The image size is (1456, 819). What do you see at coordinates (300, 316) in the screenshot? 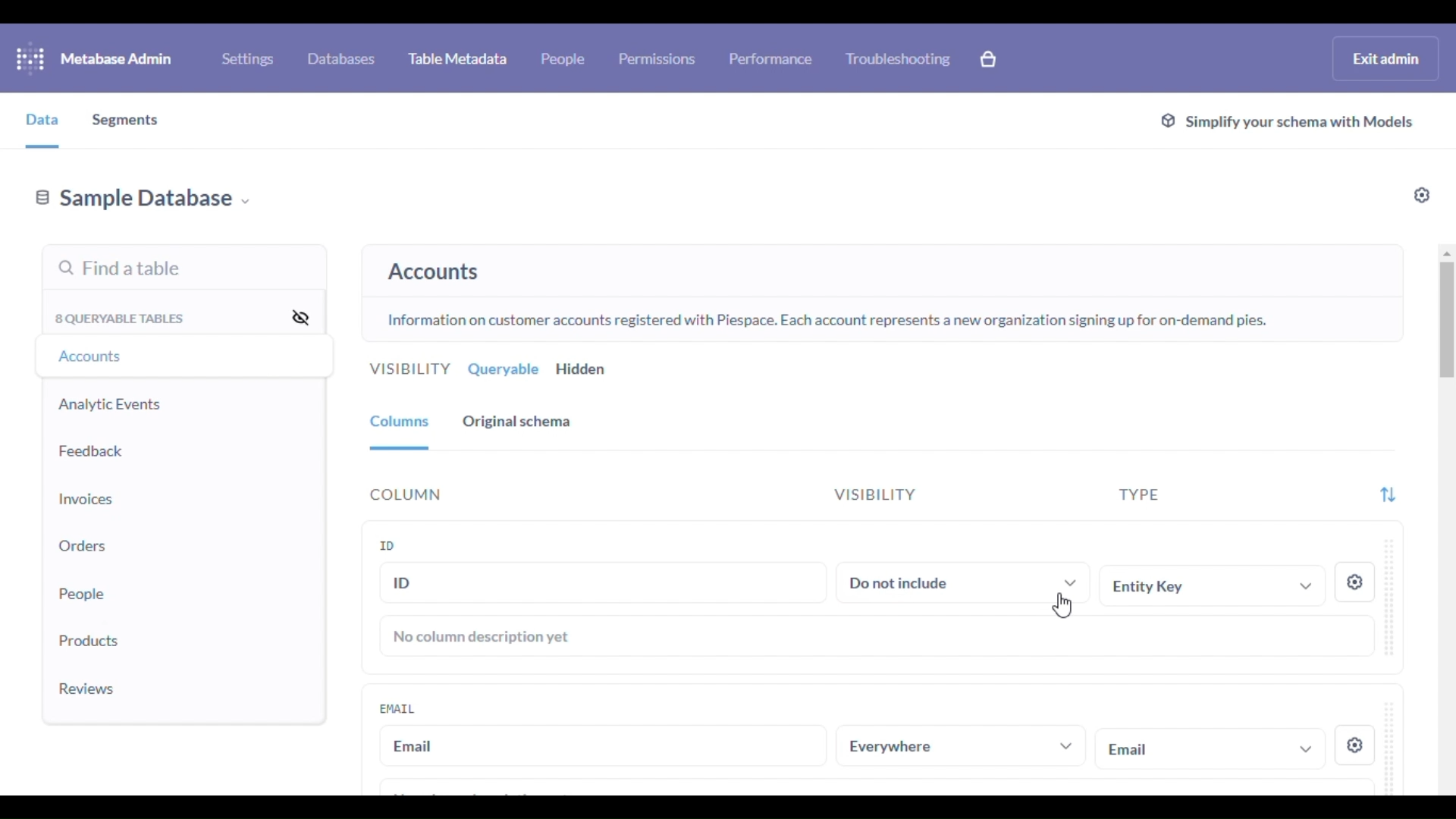
I see `hide all` at bounding box center [300, 316].